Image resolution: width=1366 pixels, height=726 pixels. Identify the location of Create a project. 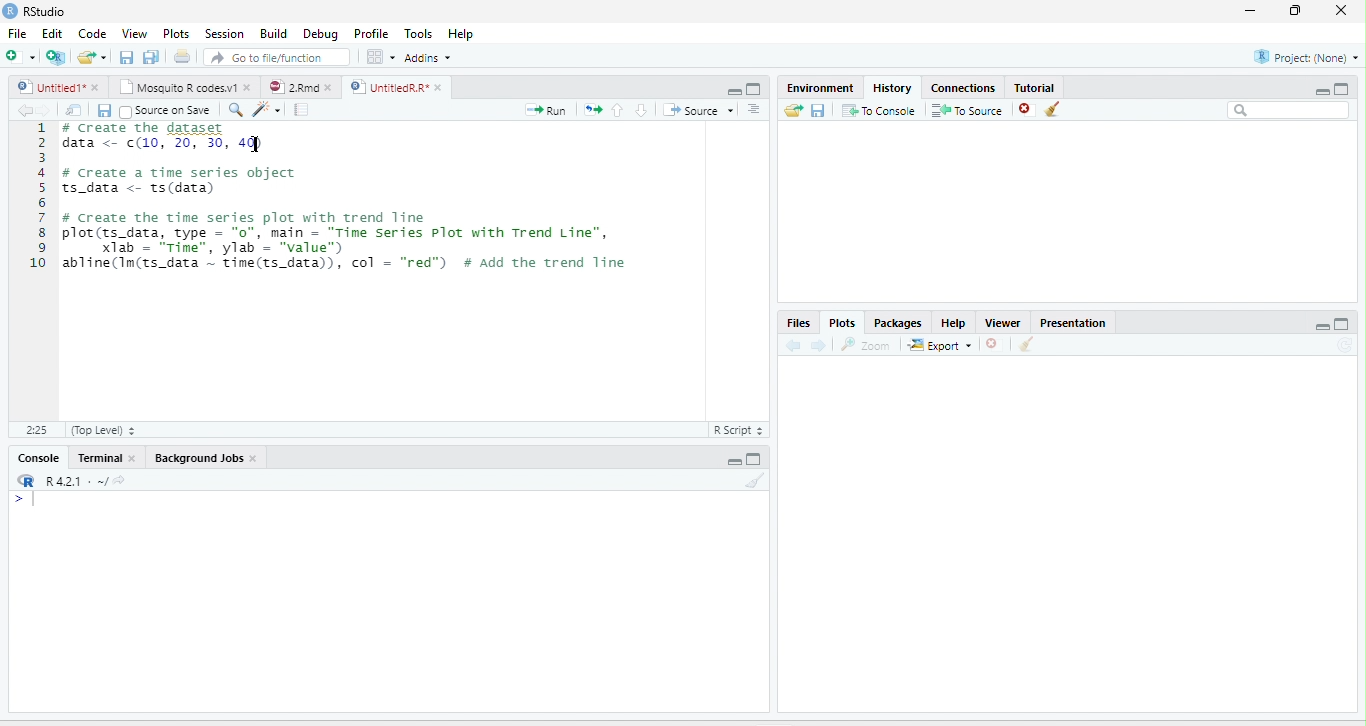
(55, 56).